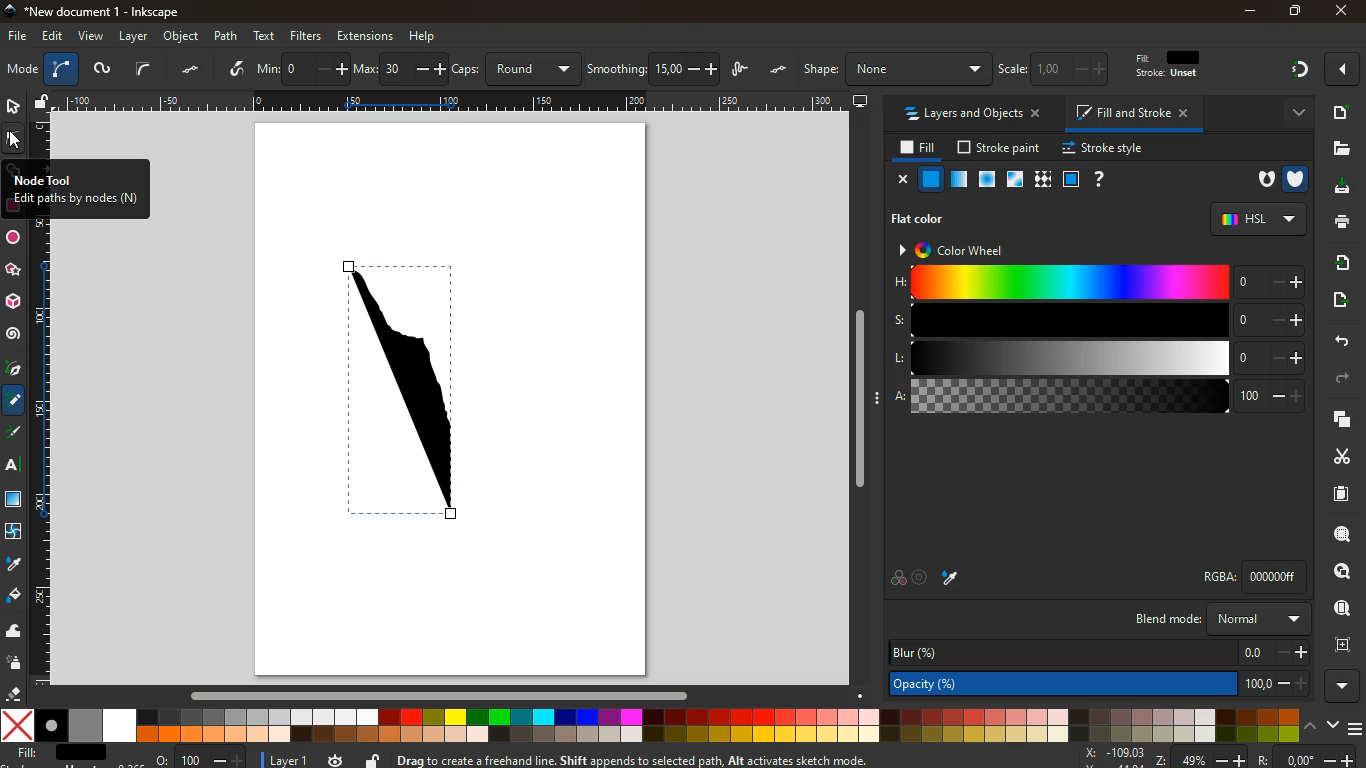 Image resolution: width=1366 pixels, height=768 pixels. Describe the element at coordinates (426, 399) in the screenshot. I see `draw` at that location.